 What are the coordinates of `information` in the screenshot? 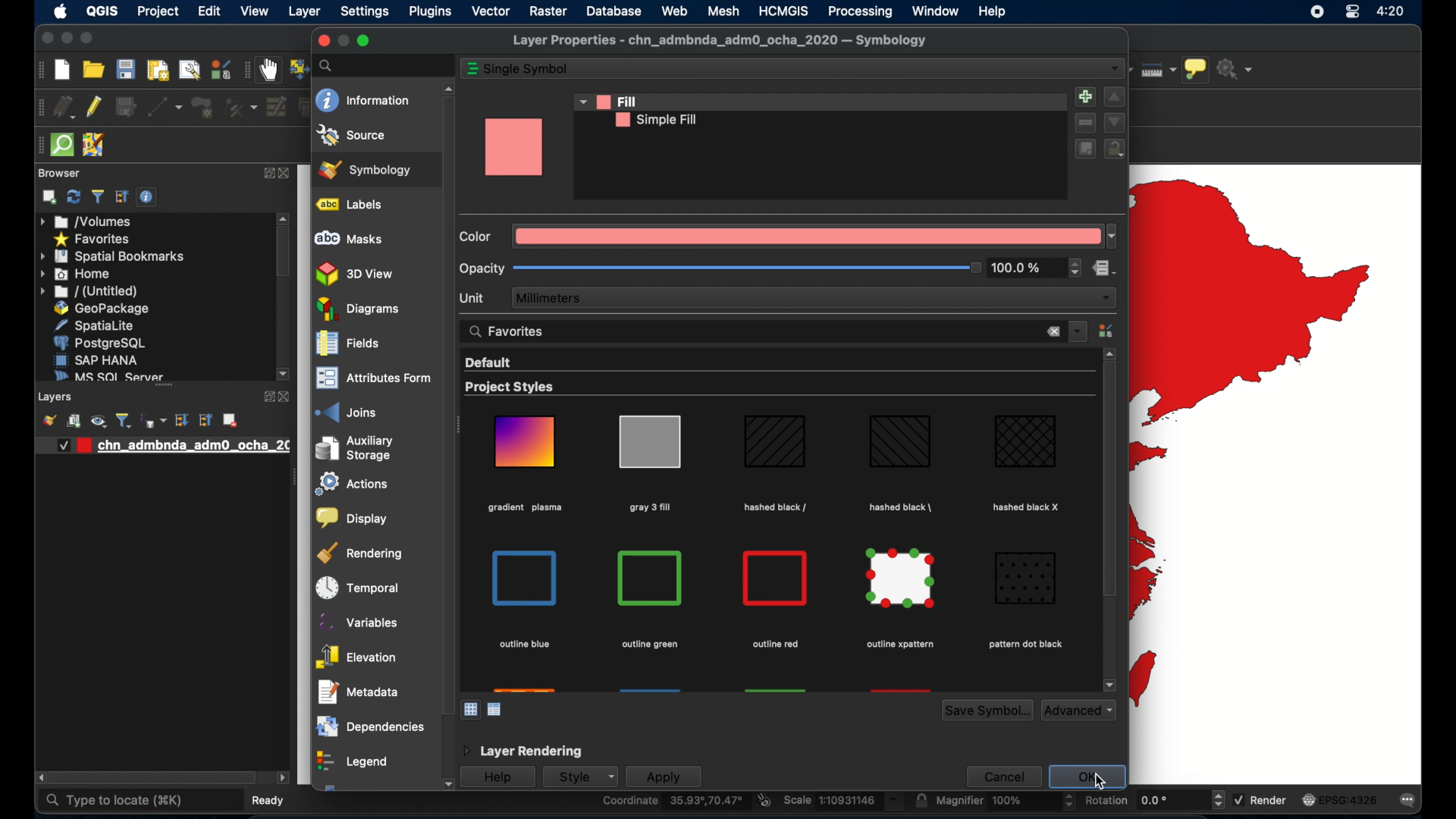 It's located at (364, 101).